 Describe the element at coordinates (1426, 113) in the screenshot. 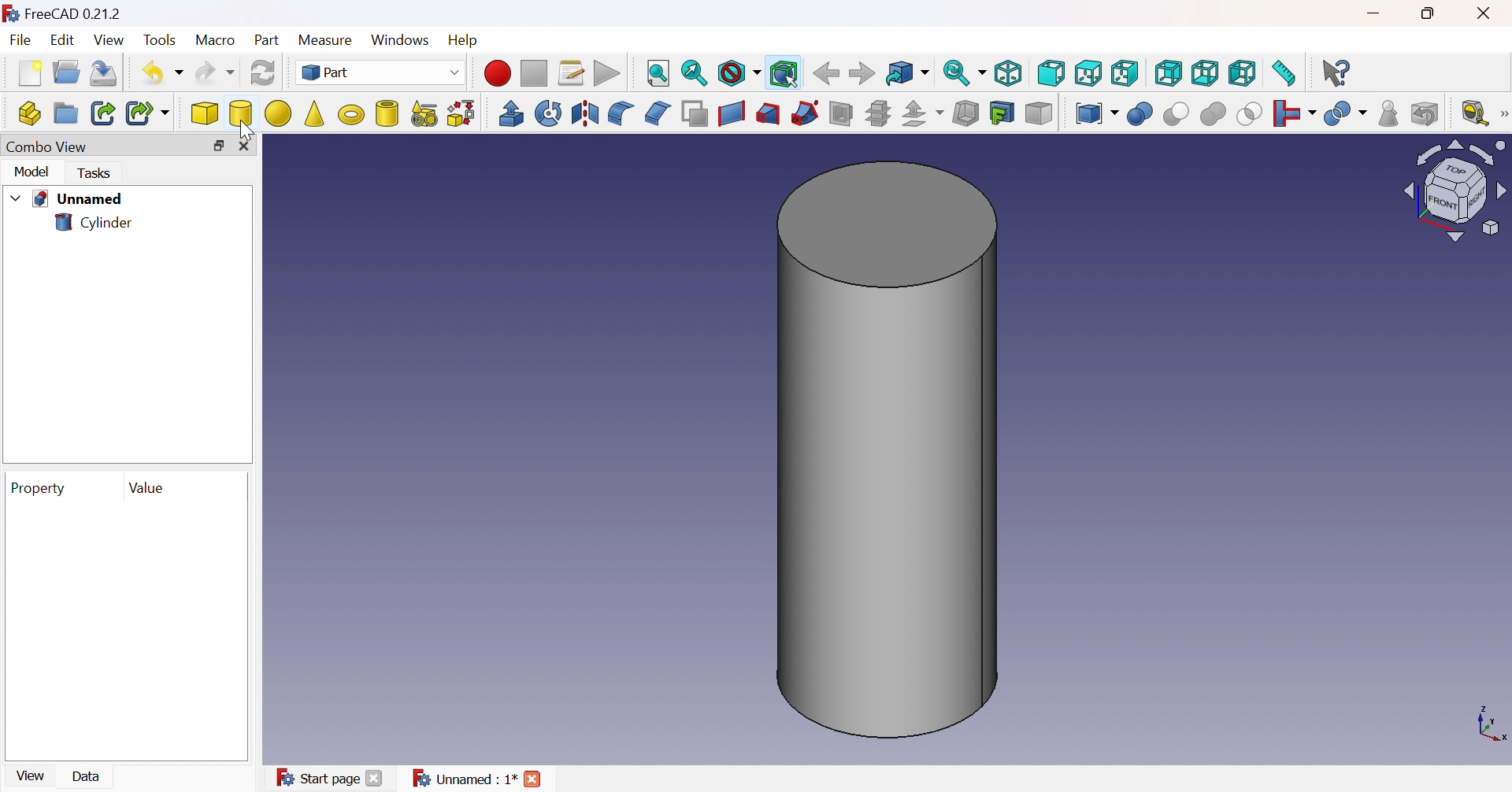

I see `Defeaturing` at that location.